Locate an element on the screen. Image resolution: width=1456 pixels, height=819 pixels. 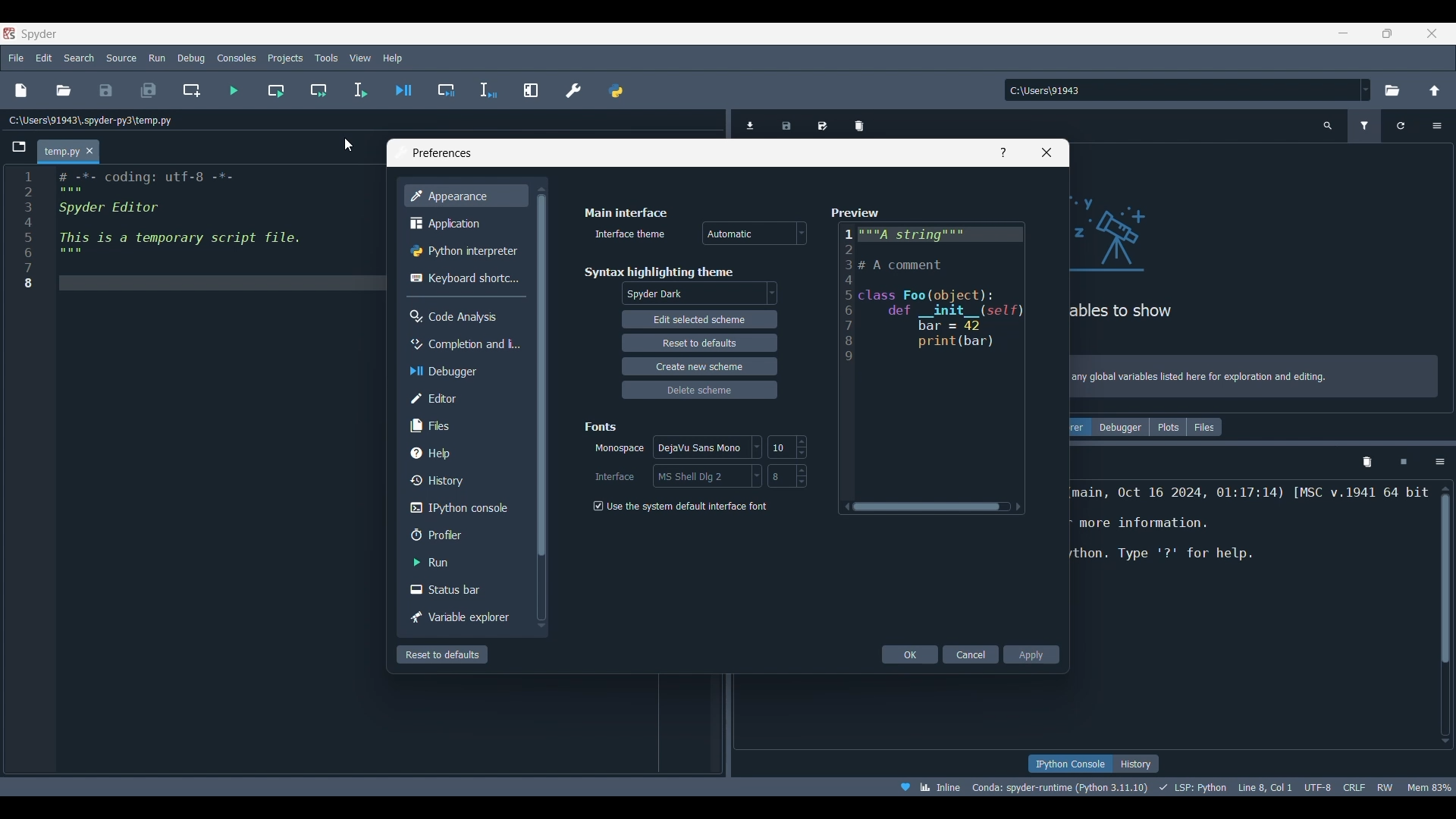
value is located at coordinates (787, 476).